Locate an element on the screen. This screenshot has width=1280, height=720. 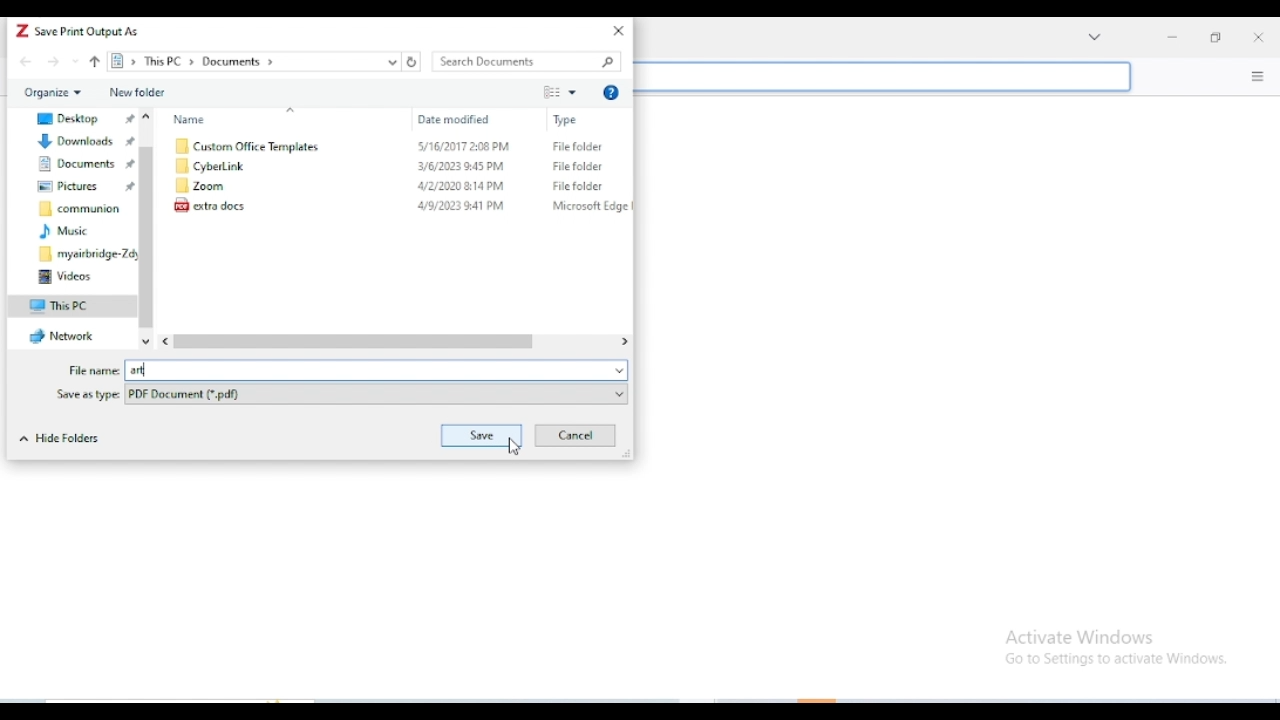
this PC is located at coordinates (63, 304).